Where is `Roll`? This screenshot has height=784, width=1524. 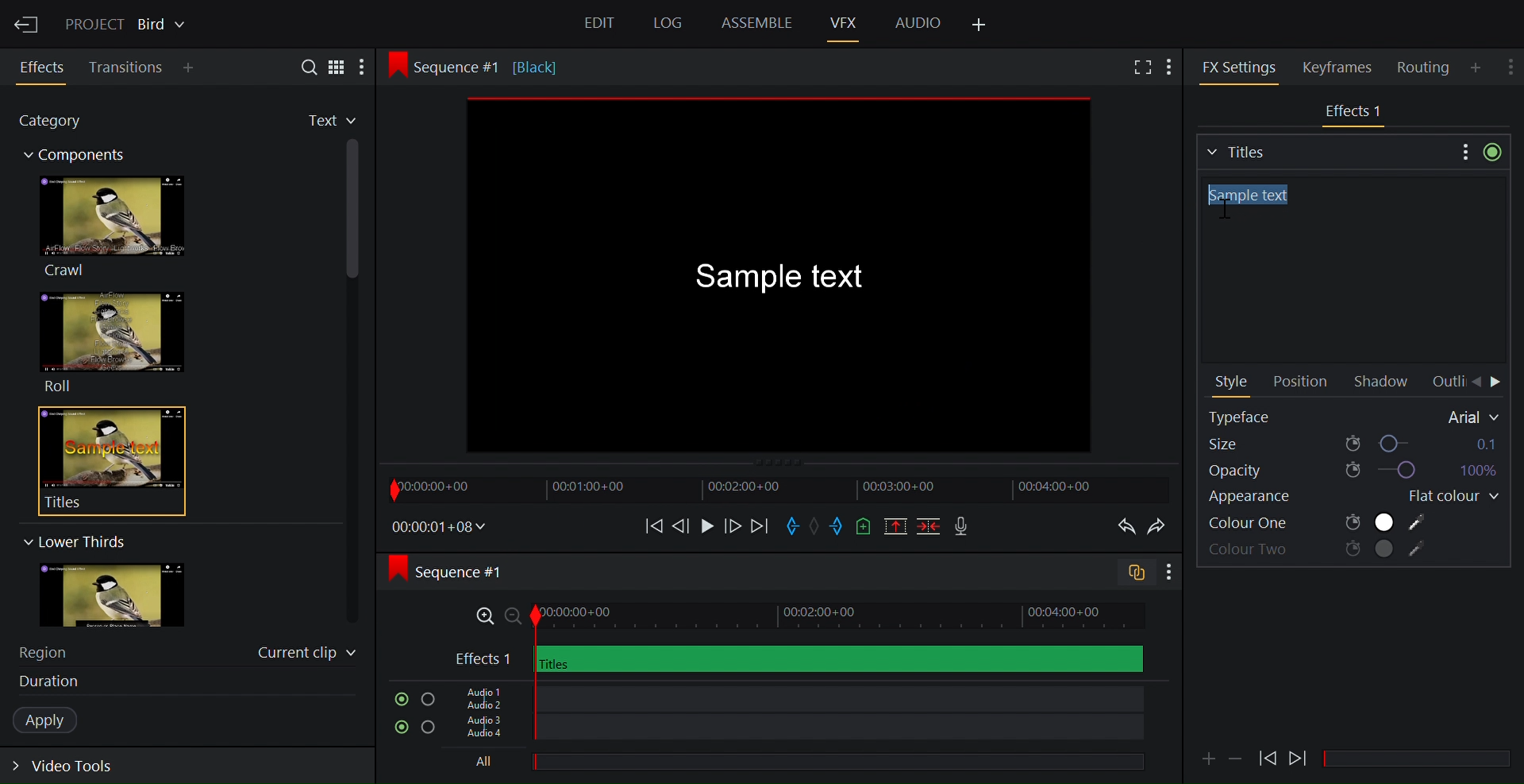 Roll is located at coordinates (111, 342).